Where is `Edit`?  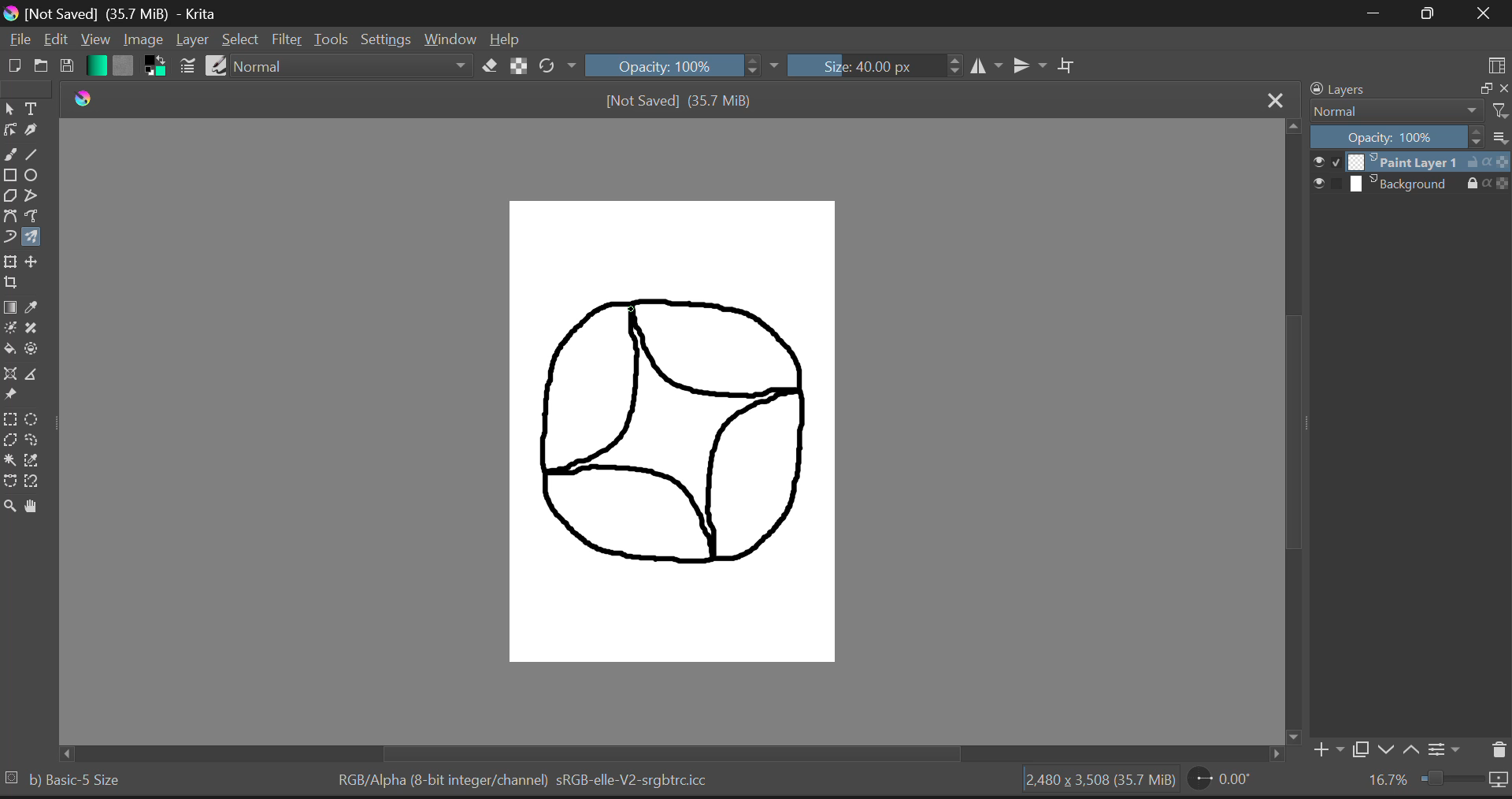 Edit is located at coordinates (55, 40).